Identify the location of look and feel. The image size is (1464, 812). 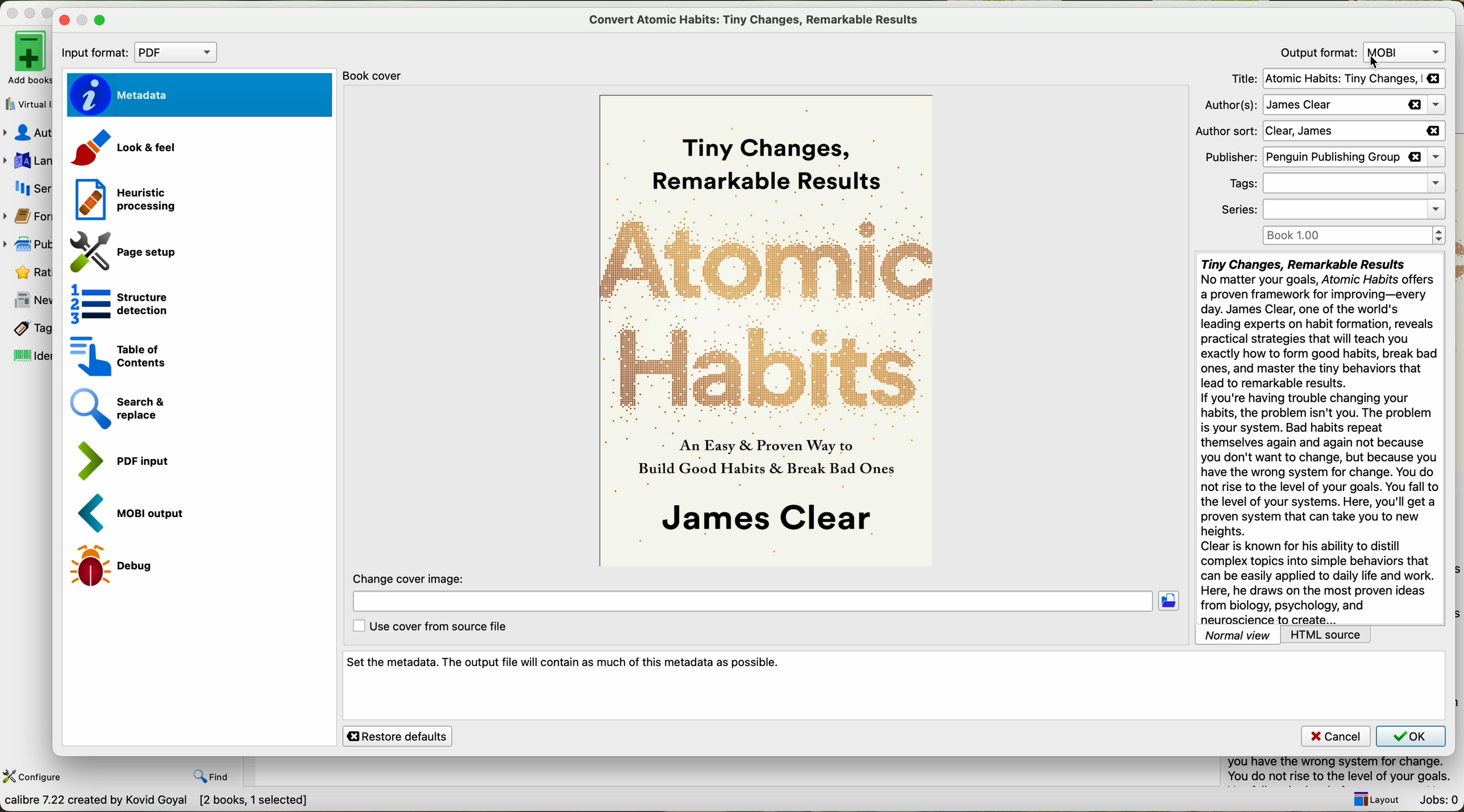
(123, 149).